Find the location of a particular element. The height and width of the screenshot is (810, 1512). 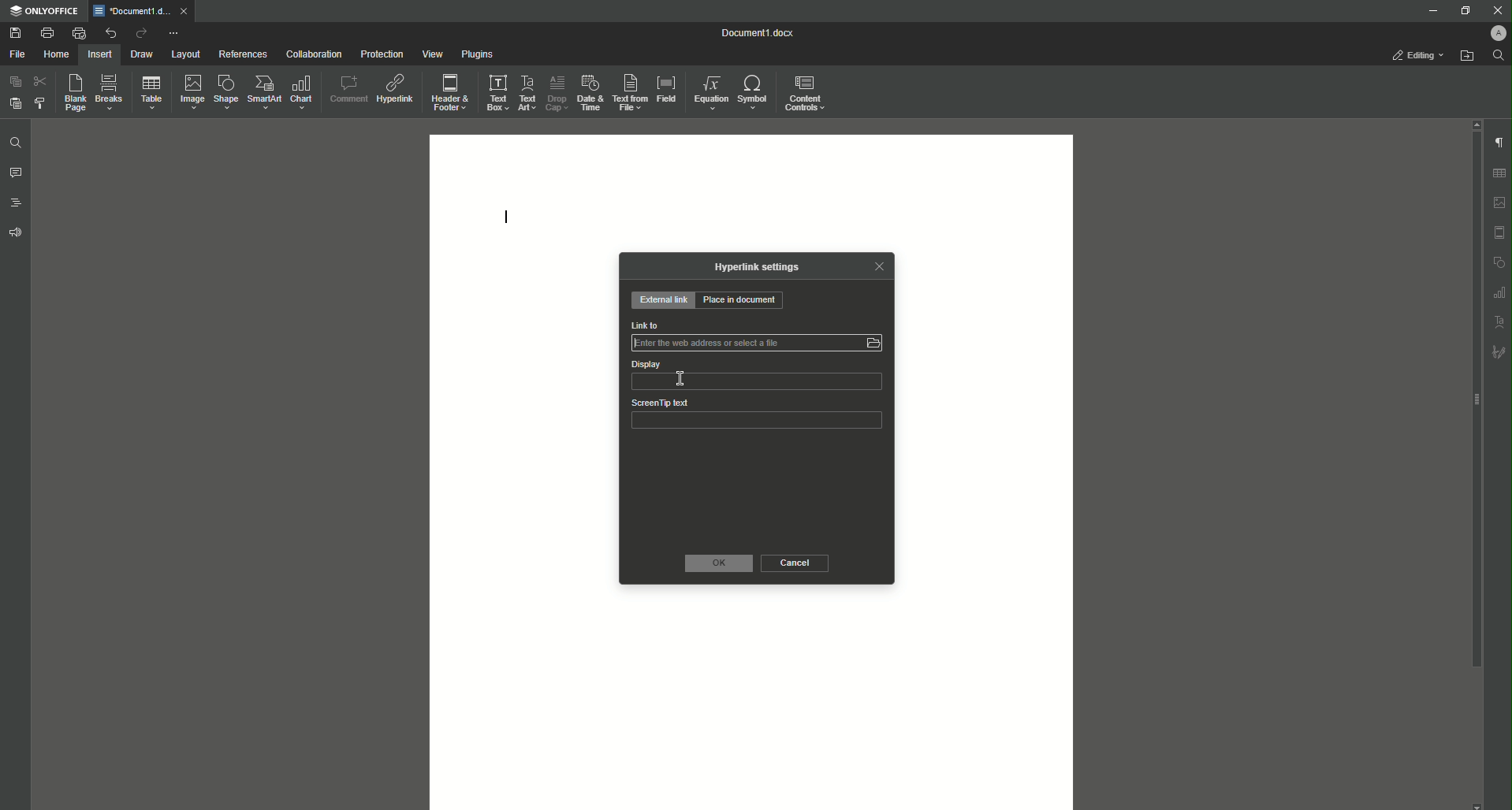

Find is located at coordinates (16, 143).